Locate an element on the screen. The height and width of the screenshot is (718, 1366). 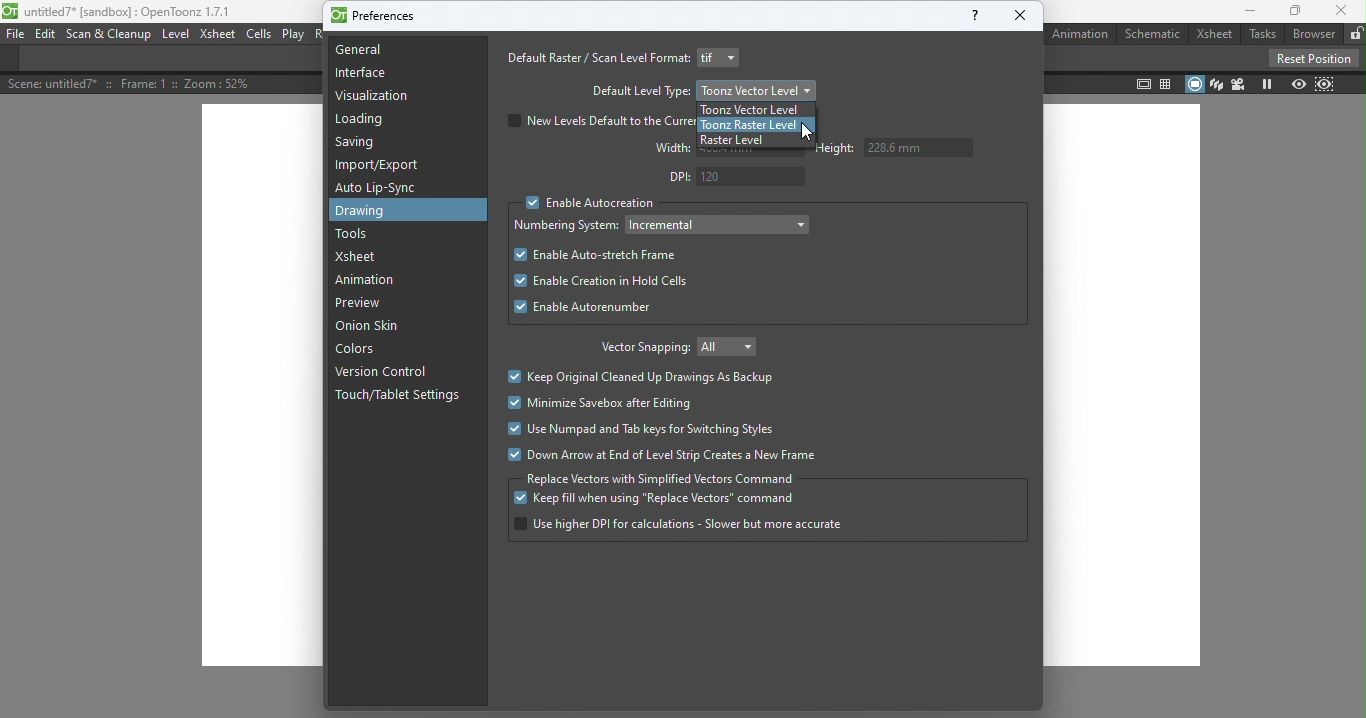
file is located at coordinates (14, 34).